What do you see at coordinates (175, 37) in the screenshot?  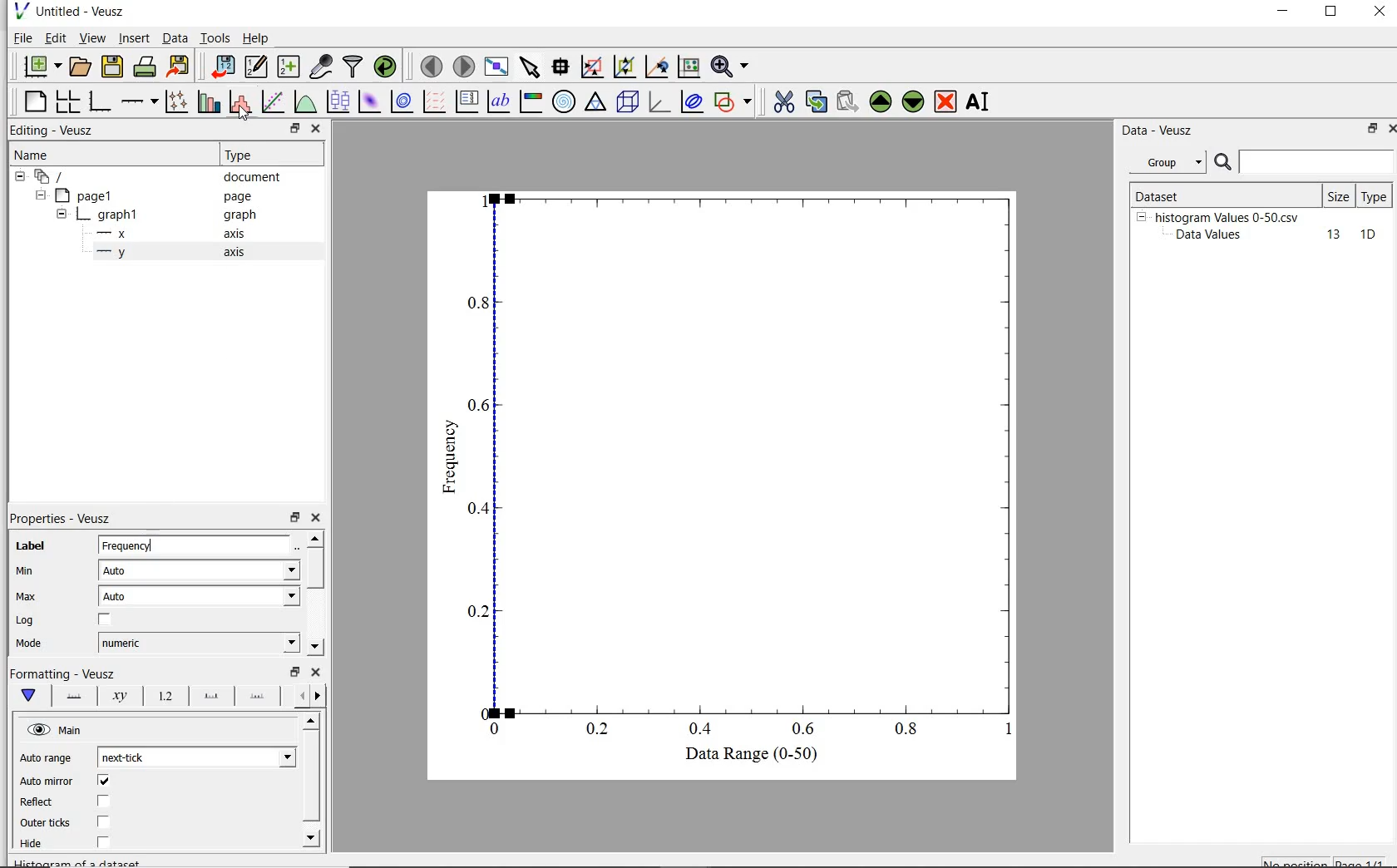 I see `Data` at bounding box center [175, 37].